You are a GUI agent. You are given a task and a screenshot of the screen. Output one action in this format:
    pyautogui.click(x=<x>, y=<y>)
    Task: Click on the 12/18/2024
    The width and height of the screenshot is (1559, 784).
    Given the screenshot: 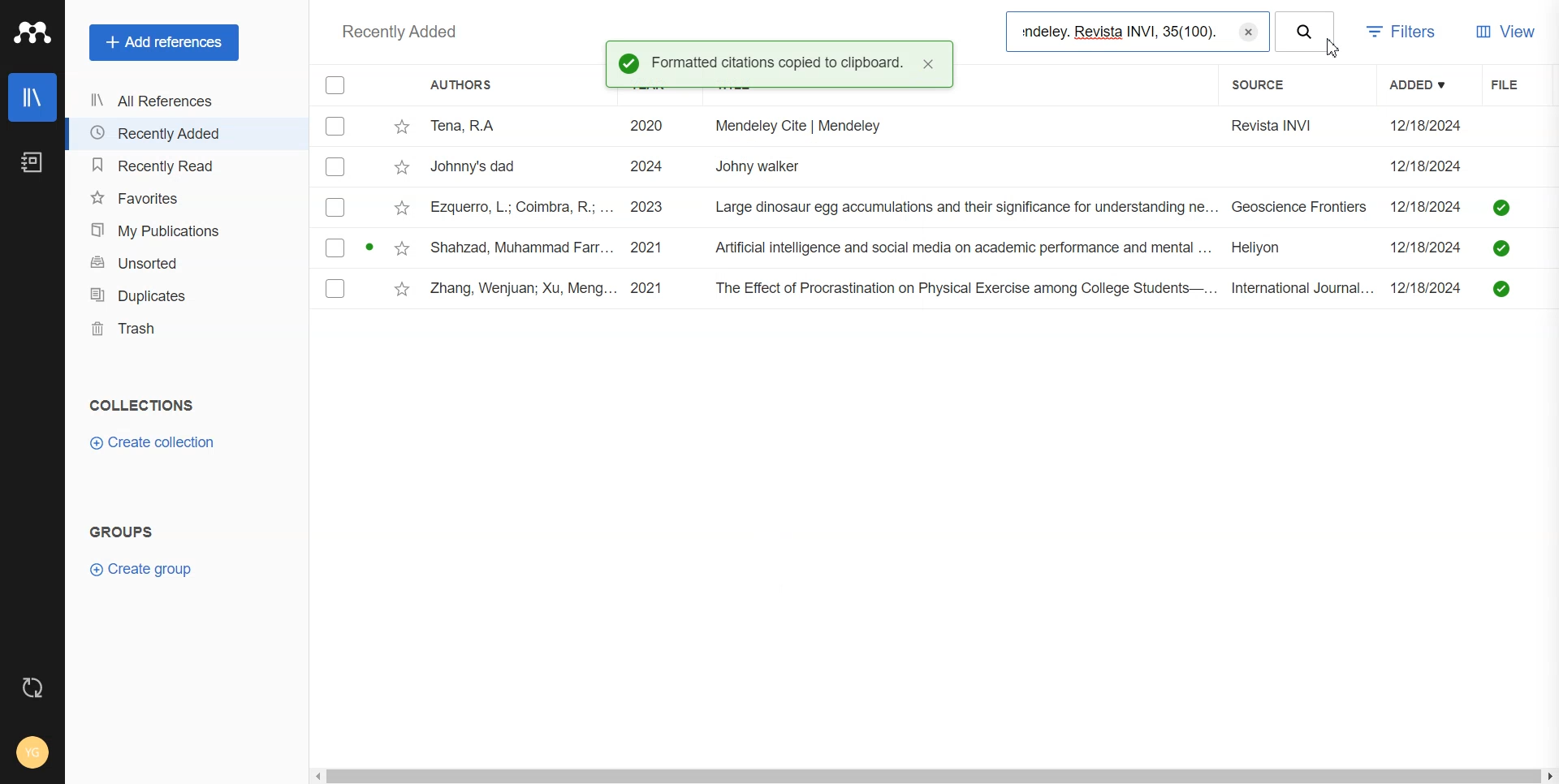 What is the action you would take?
    pyautogui.click(x=1427, y=166)
    